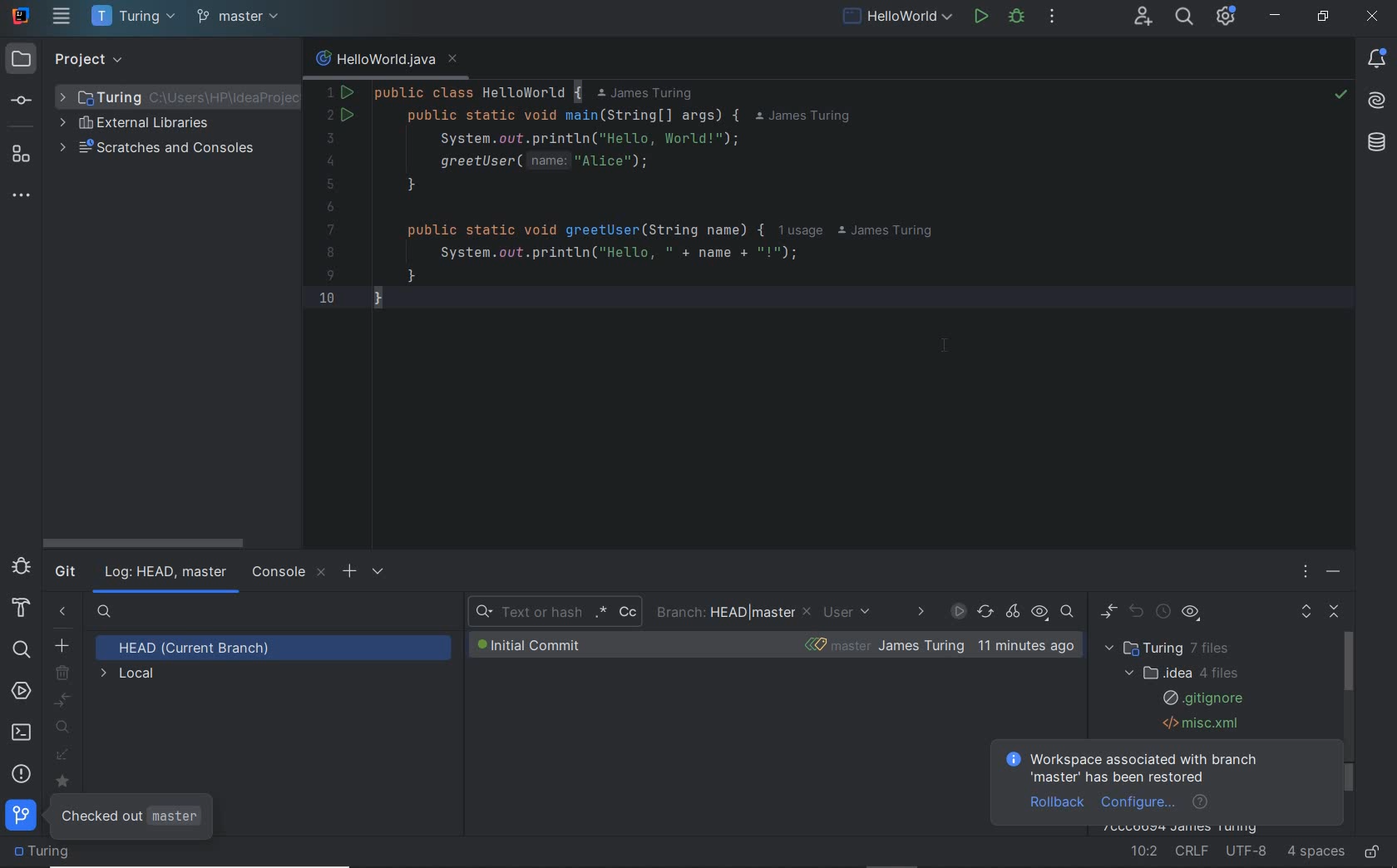 The height and width of the screenshot is (868, 1397). What do you see at coordinates (1201, 698) in the screenshot?
I see `.gitignore` at bounding box center [1201, 698].